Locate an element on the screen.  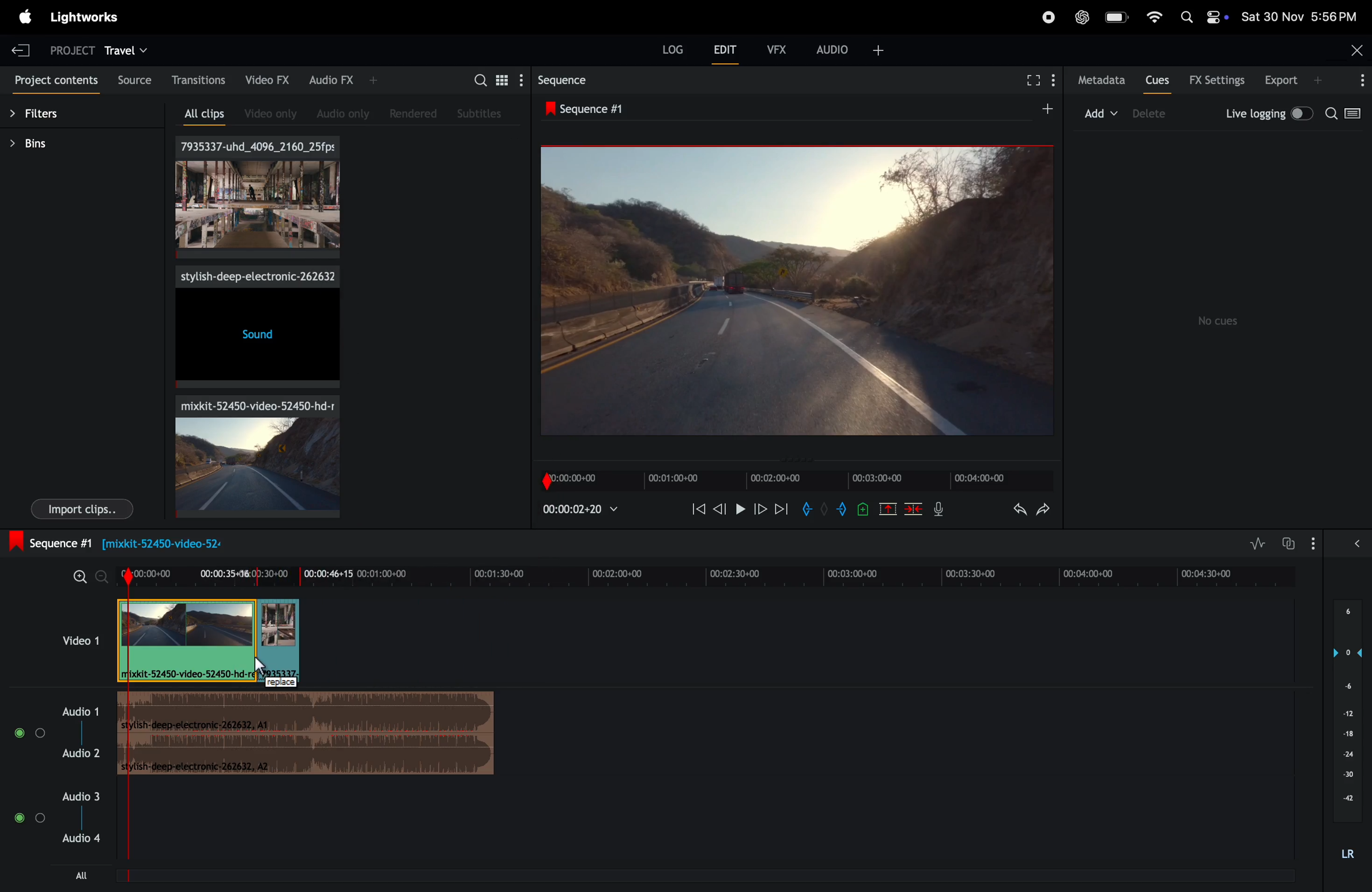
video clips is located at coordinates (259, 198).